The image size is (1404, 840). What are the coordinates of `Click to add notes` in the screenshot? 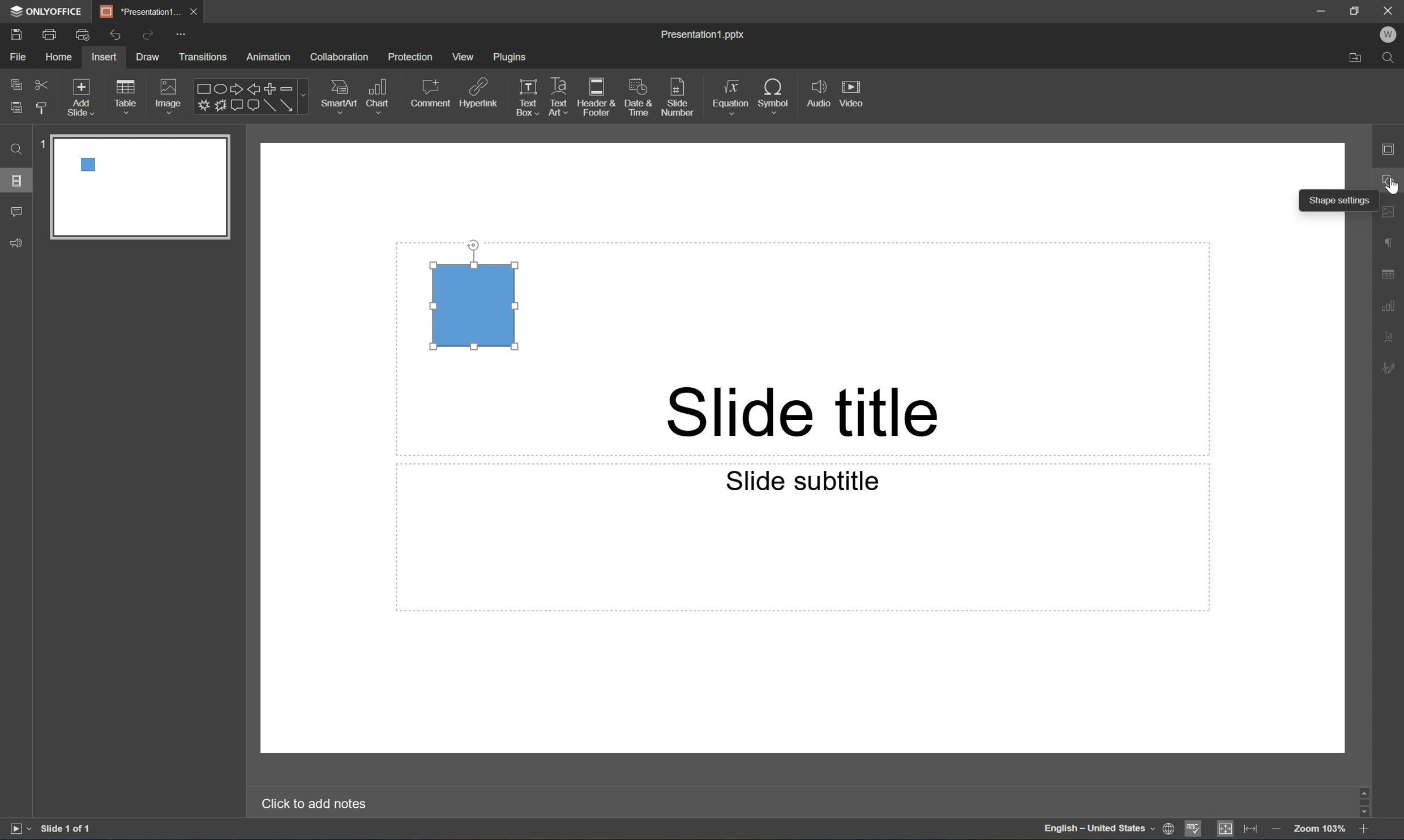 It's located at (318, 804).